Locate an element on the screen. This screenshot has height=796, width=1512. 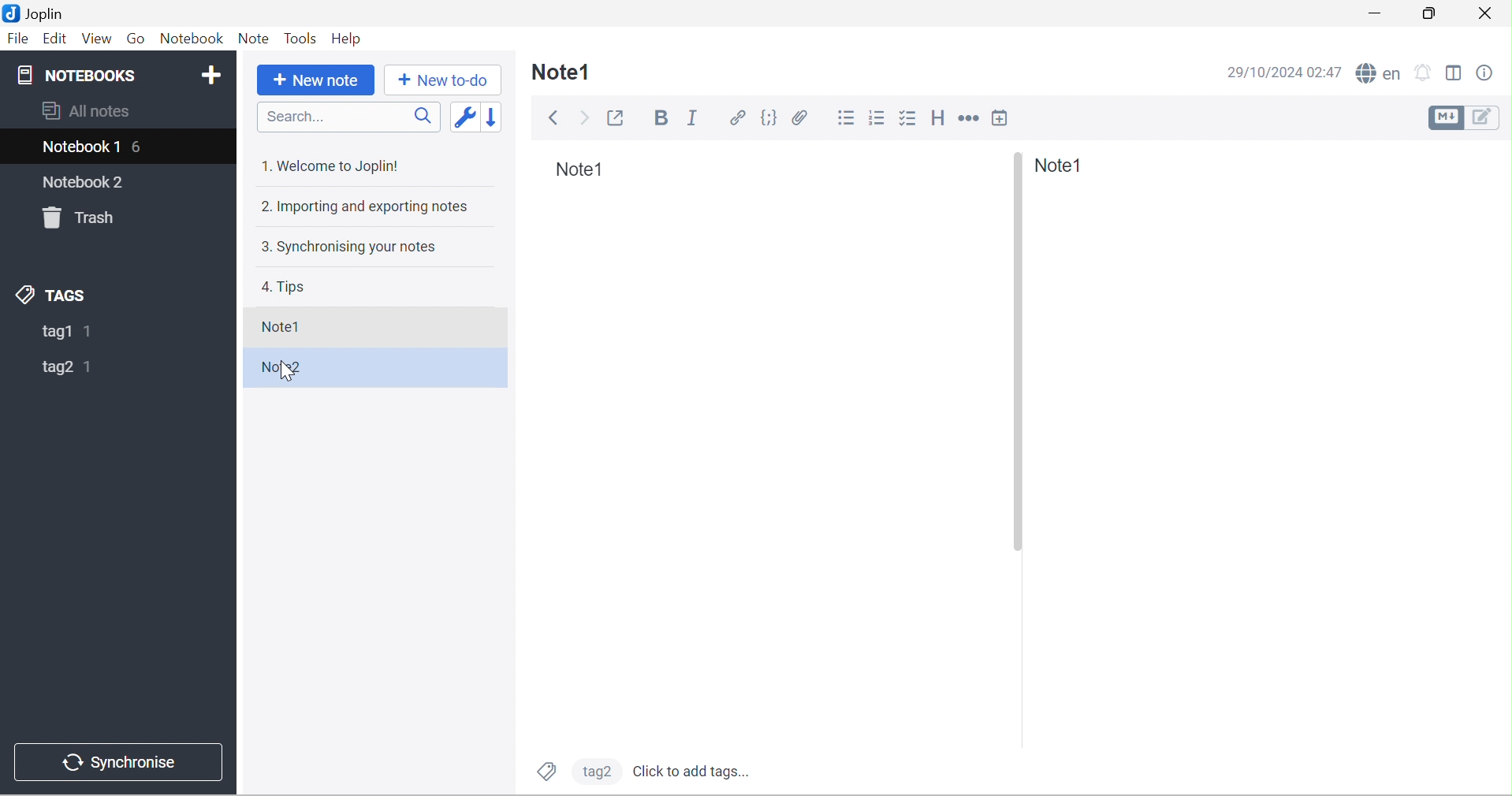
Note1 is located at coordinates (283, 328).